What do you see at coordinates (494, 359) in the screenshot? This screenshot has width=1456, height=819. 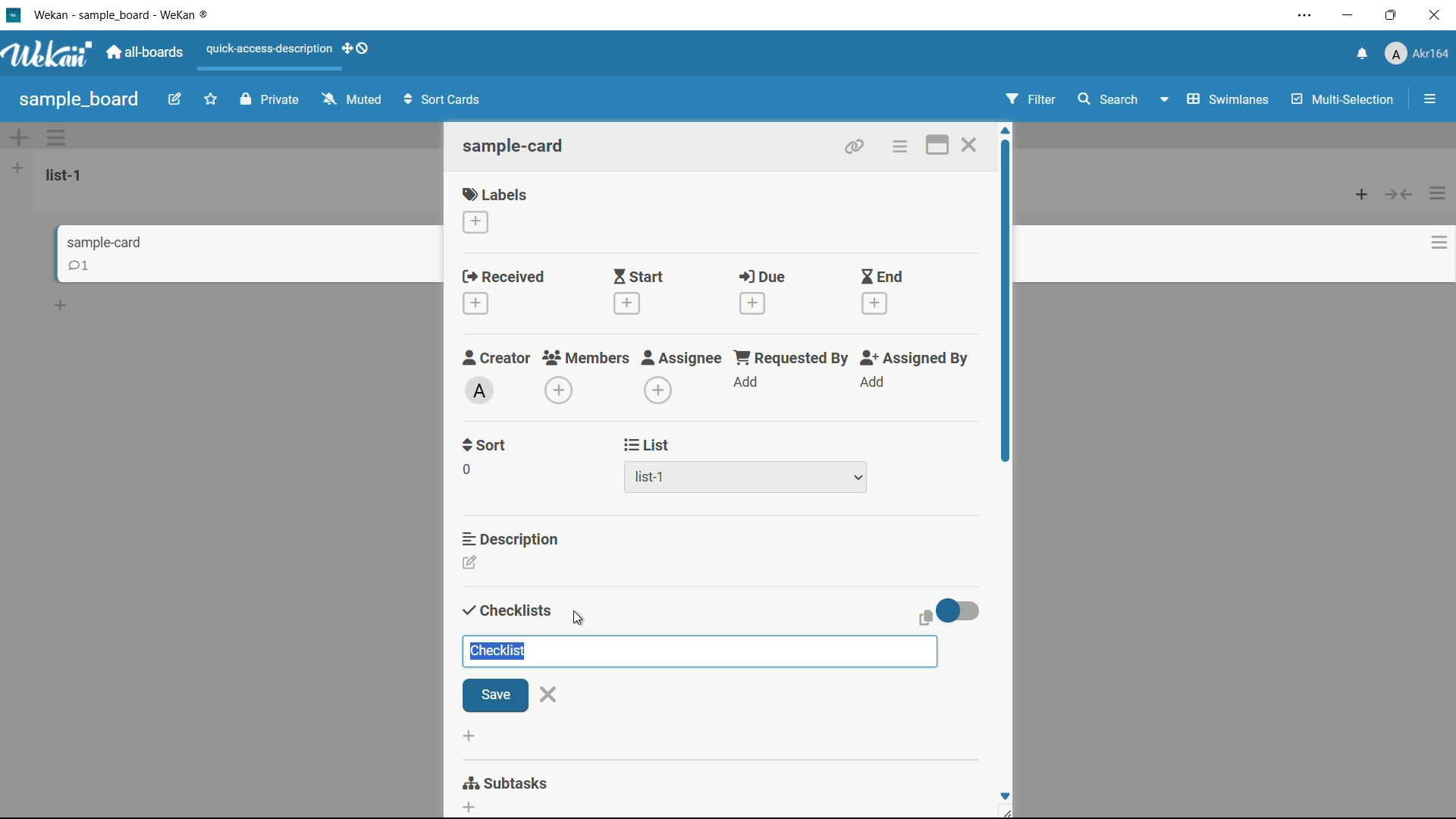 I see `creator` at bounding box center [494, 359].